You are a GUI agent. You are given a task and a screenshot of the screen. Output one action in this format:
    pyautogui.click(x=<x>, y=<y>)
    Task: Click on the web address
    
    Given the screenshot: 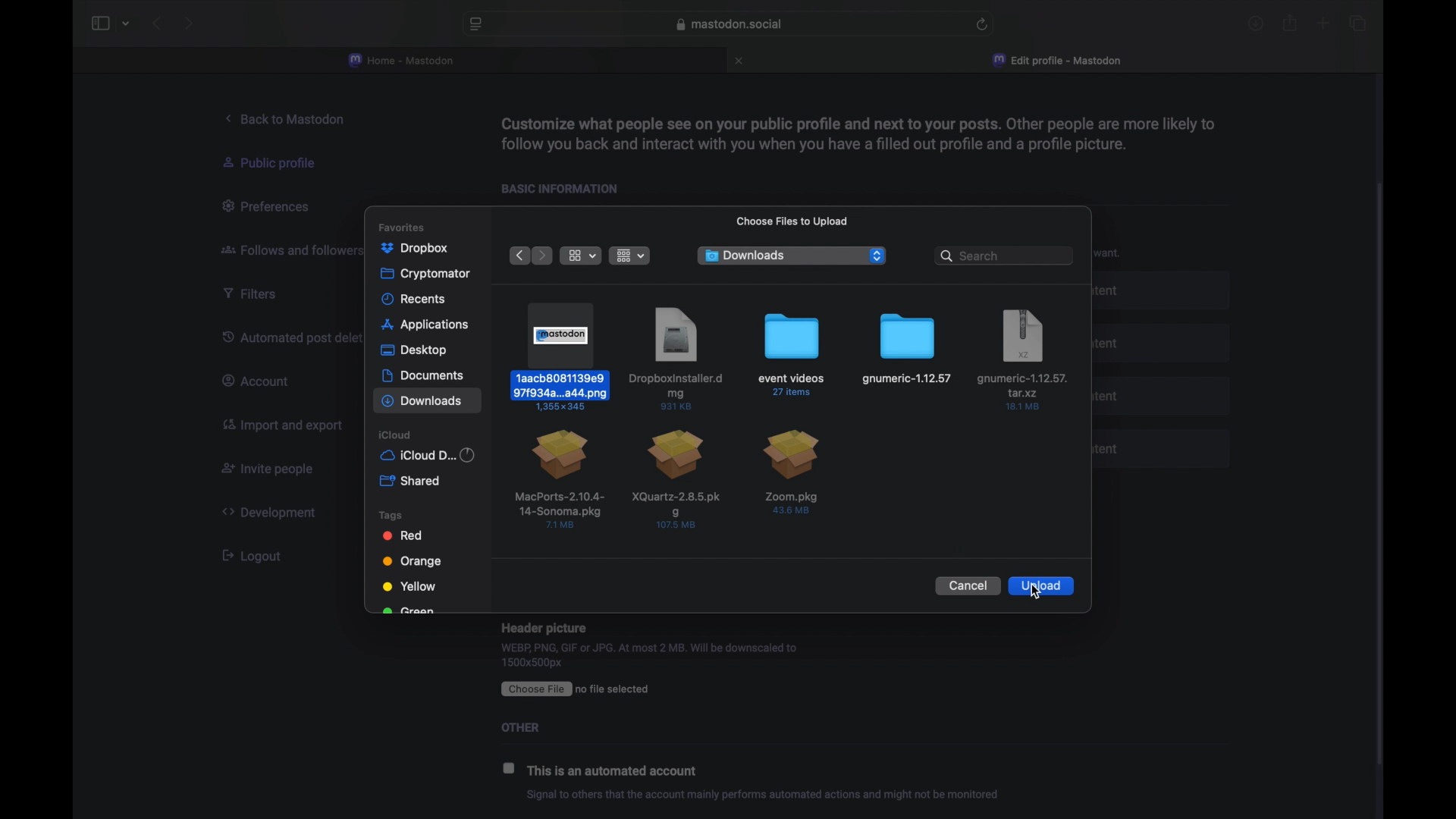 What is the action you would take?
    pyautogui.click(x=729, y=24)
    